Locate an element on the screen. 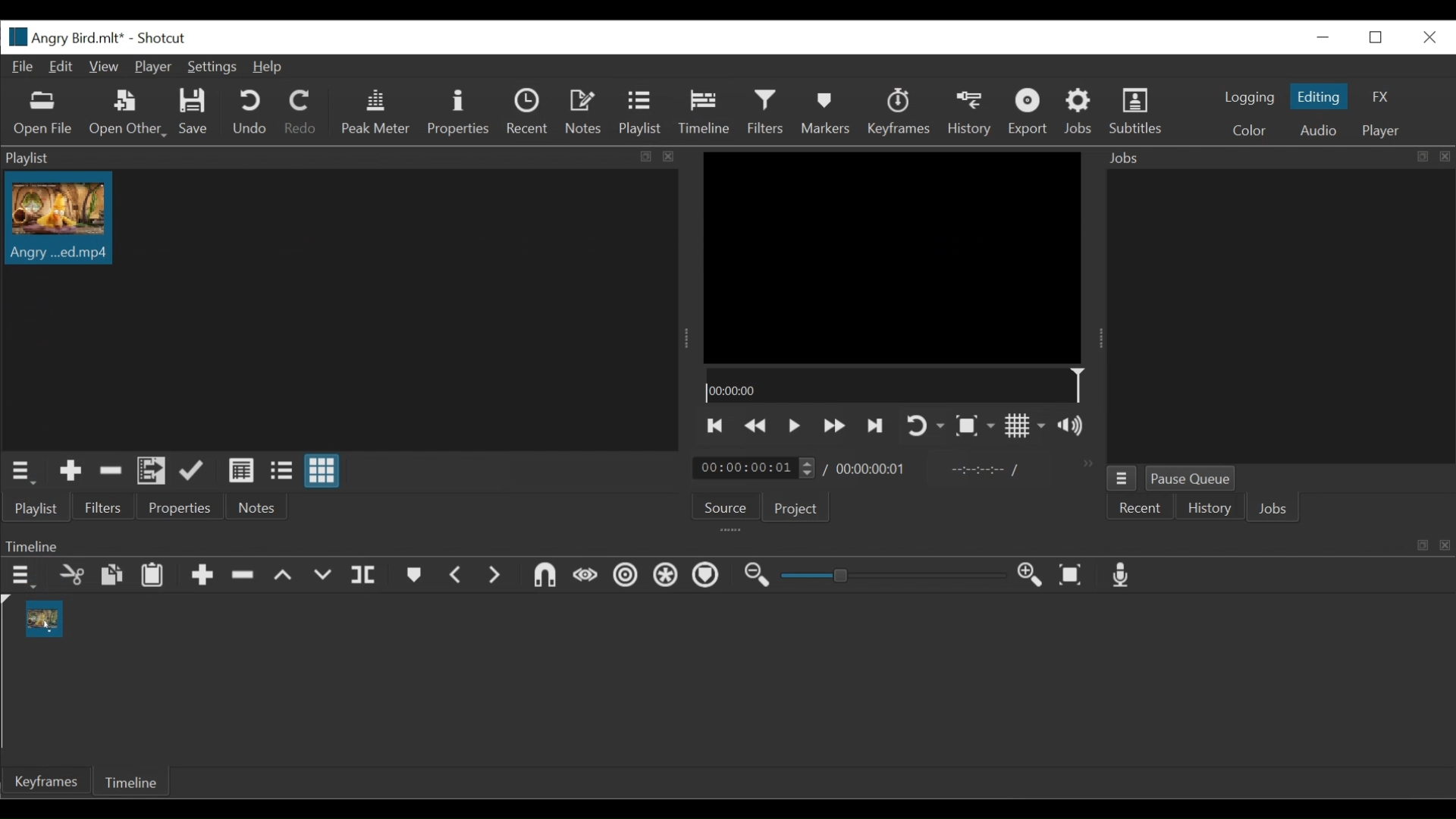  Clip  is located at coordinates (65, 222).